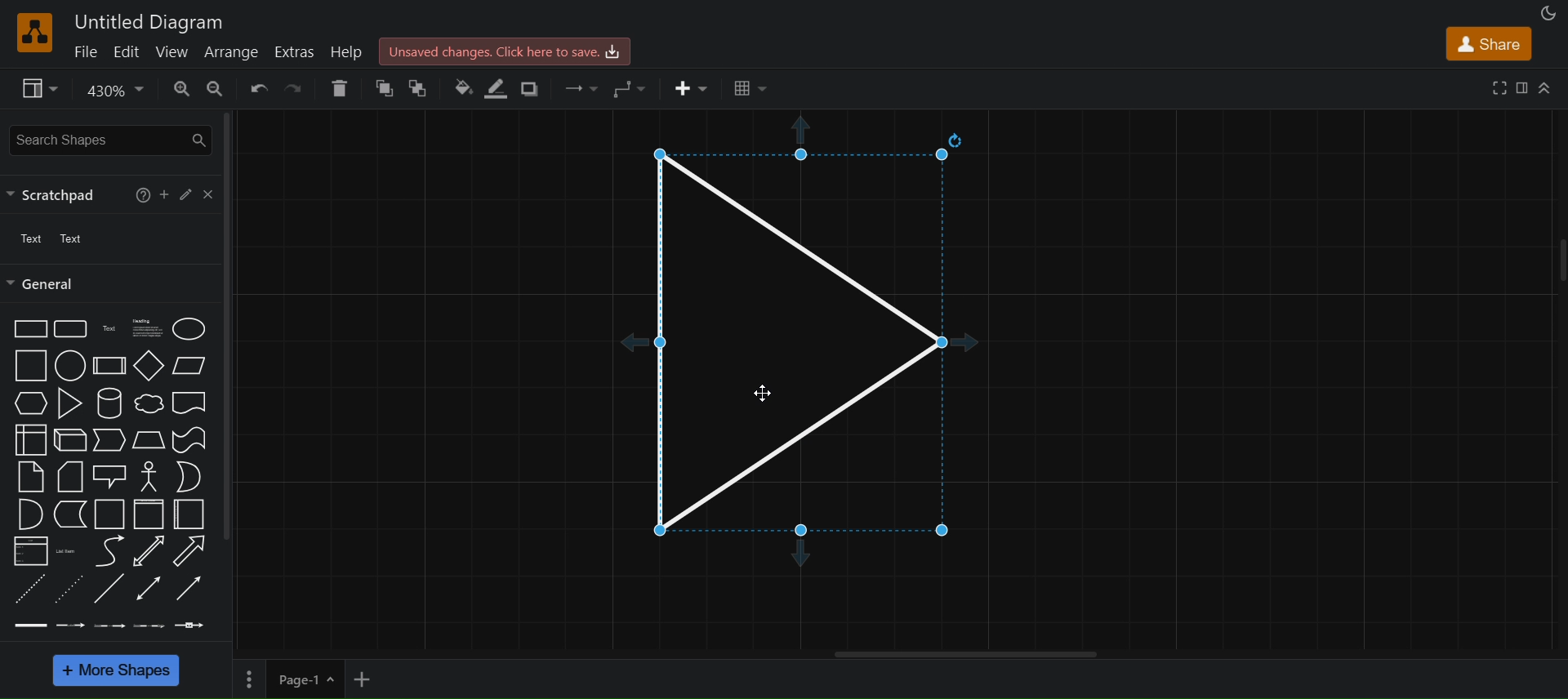 The image size is (1568, 699). What do you see at coordinates (113, 91) in the screenshot?
I see `zoom` at bounding box center [113, 91].